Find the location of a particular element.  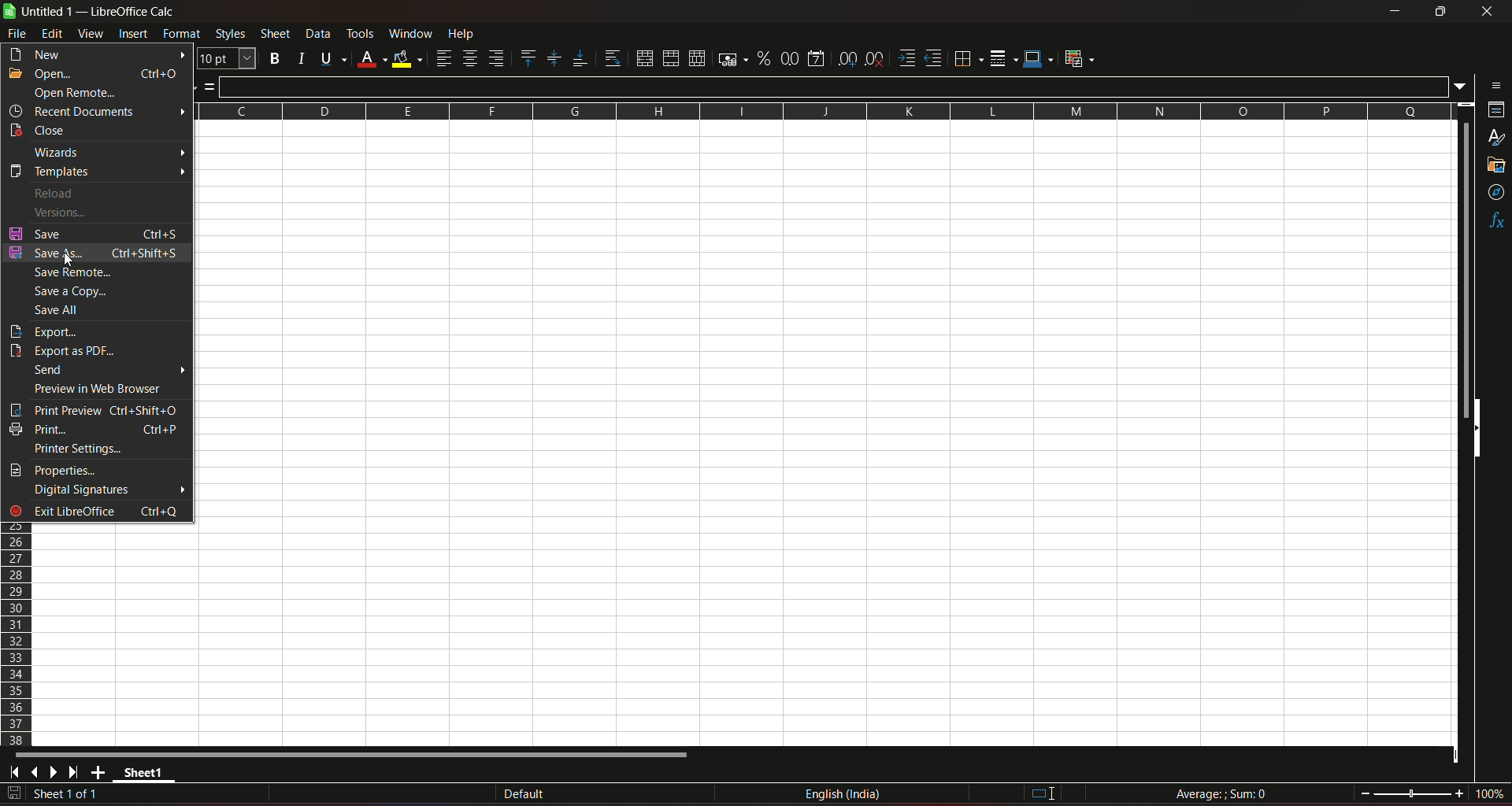

  align is located at coordinates (443, 58).